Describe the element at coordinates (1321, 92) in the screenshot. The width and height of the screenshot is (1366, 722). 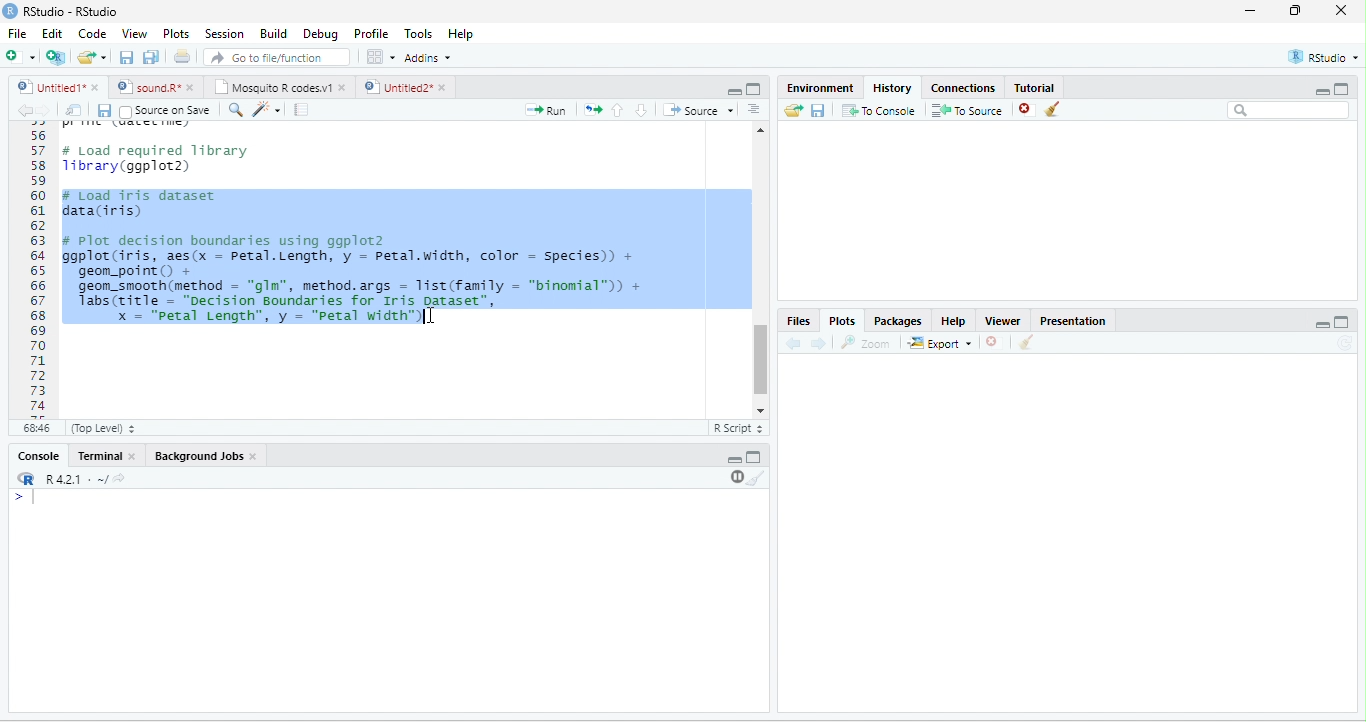
I see `minimize` at that location.